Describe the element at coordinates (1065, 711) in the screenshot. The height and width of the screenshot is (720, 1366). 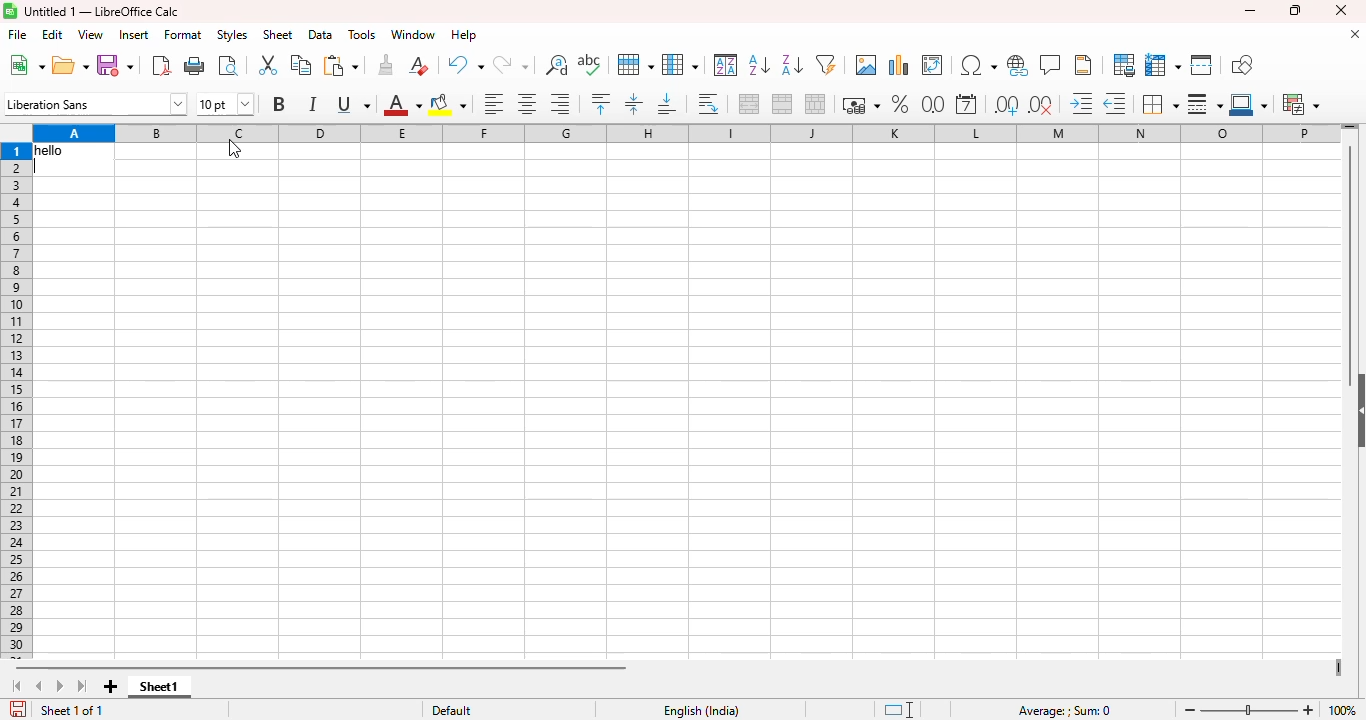
I see `formula` at that location.